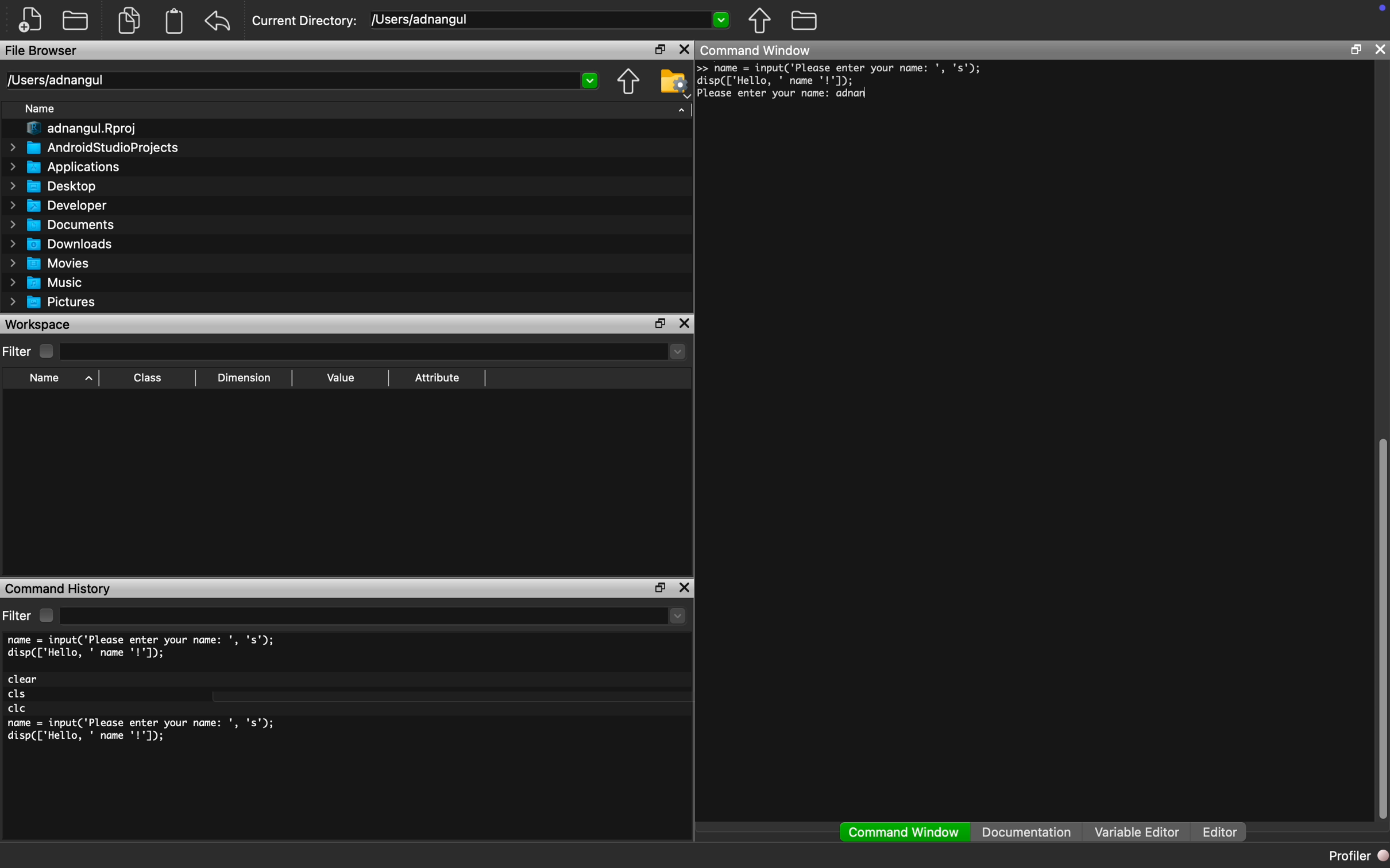 The width and height of the screenshot is (1390, 868). What do you see at coordinates (24, 679) in the screenshot?
I see `clear` at bounding box center [24, 679].